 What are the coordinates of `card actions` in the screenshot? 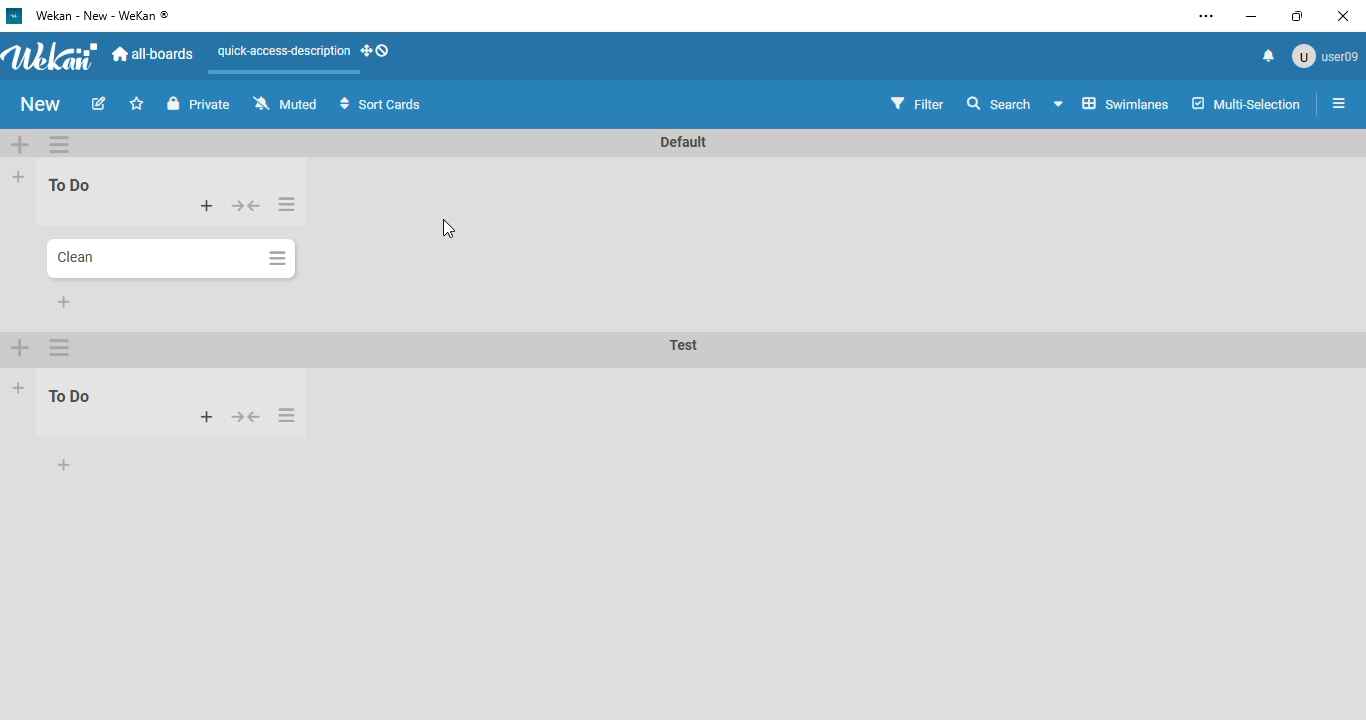 It's located at (287, 415).